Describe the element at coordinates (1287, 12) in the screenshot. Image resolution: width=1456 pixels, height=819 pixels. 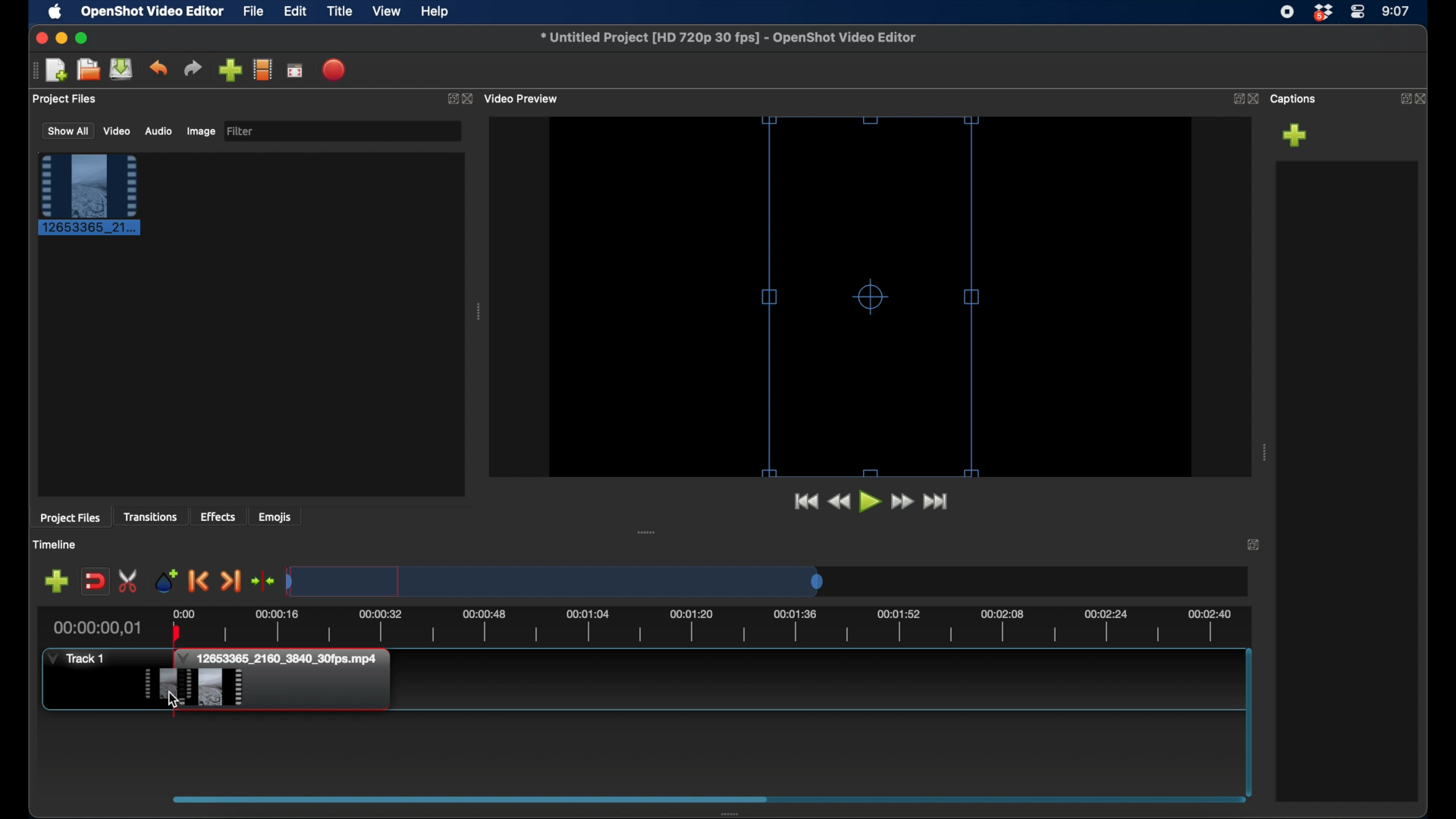
I see `screen recorder icon` at that location.